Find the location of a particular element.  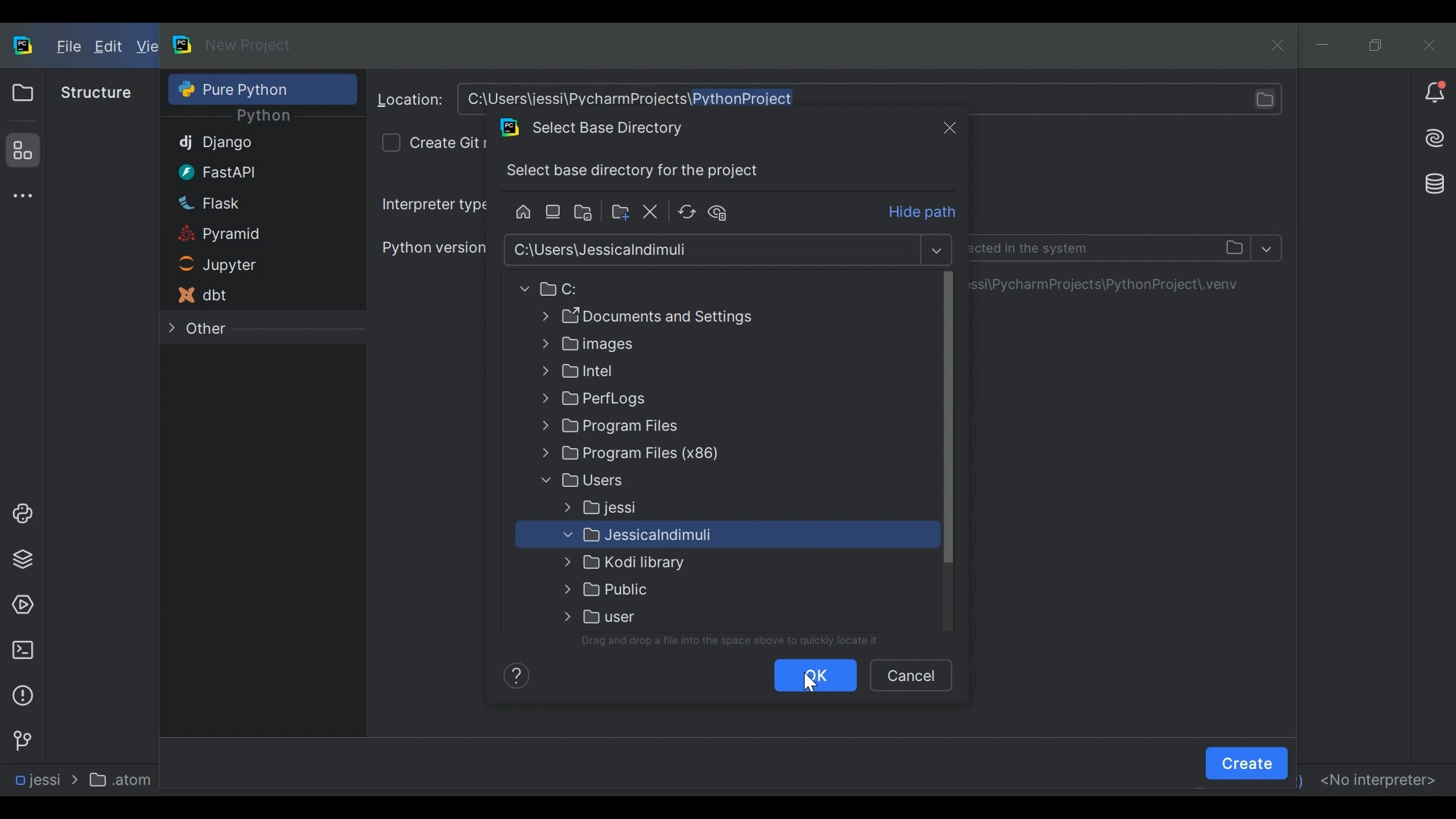

Folder Path is located at coordinates (664, 372).